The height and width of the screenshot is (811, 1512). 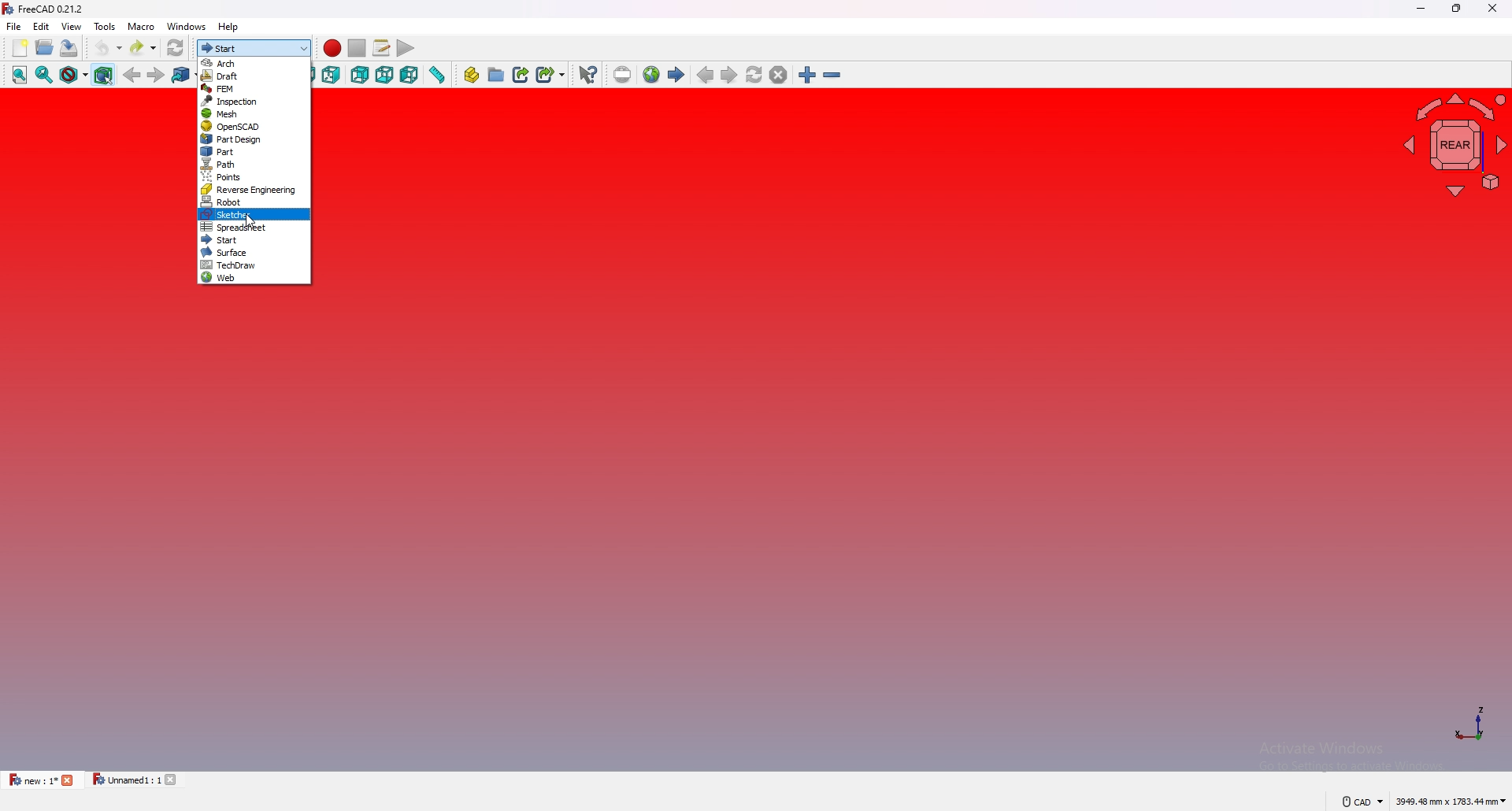 What do you see at coordinates (254, 113) in the screenshot?
I see `mesh` at bounding box center [254, 113].